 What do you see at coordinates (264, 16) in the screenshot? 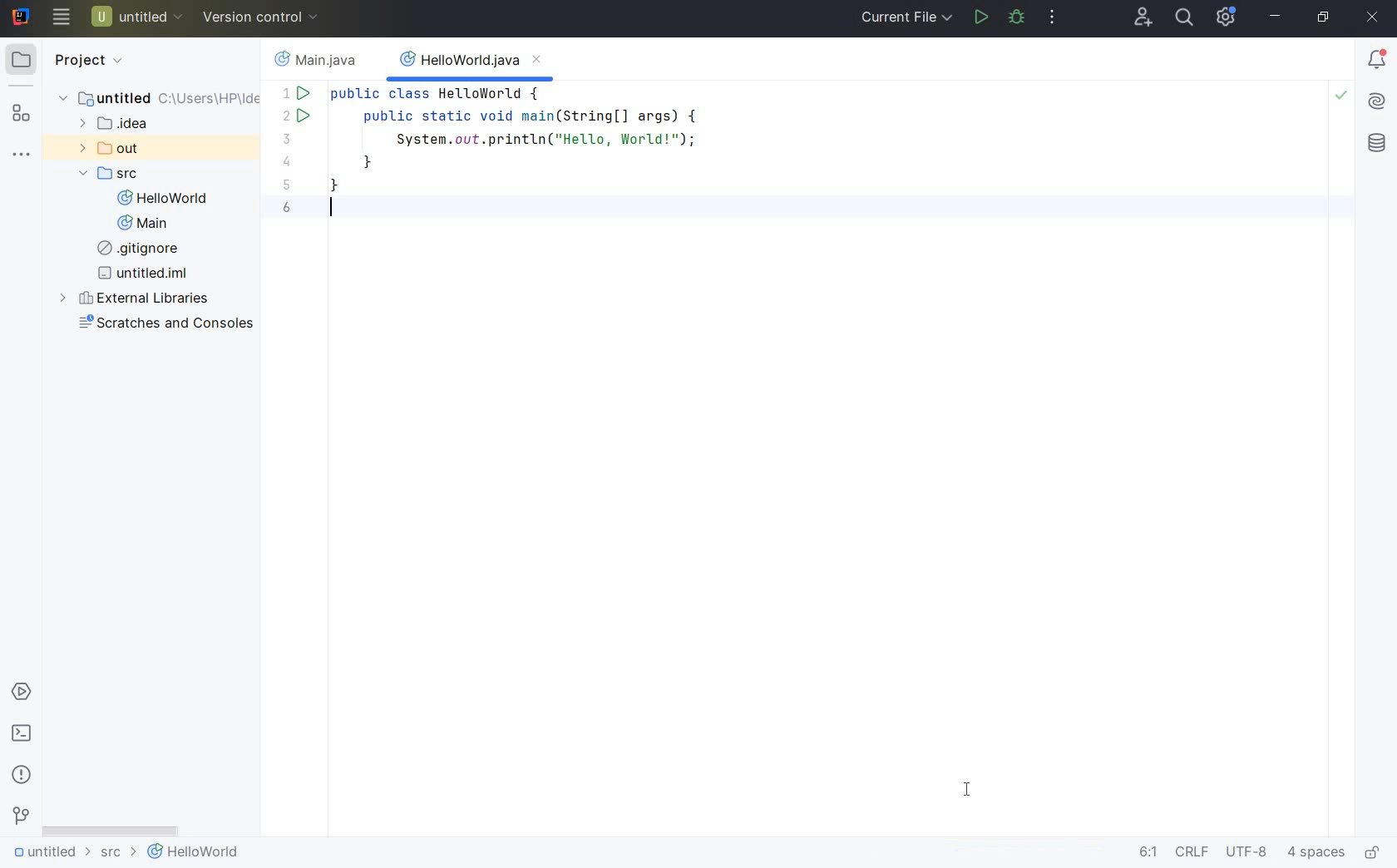
I see `VERSION CONTROL` at bounding box center [264, 16].